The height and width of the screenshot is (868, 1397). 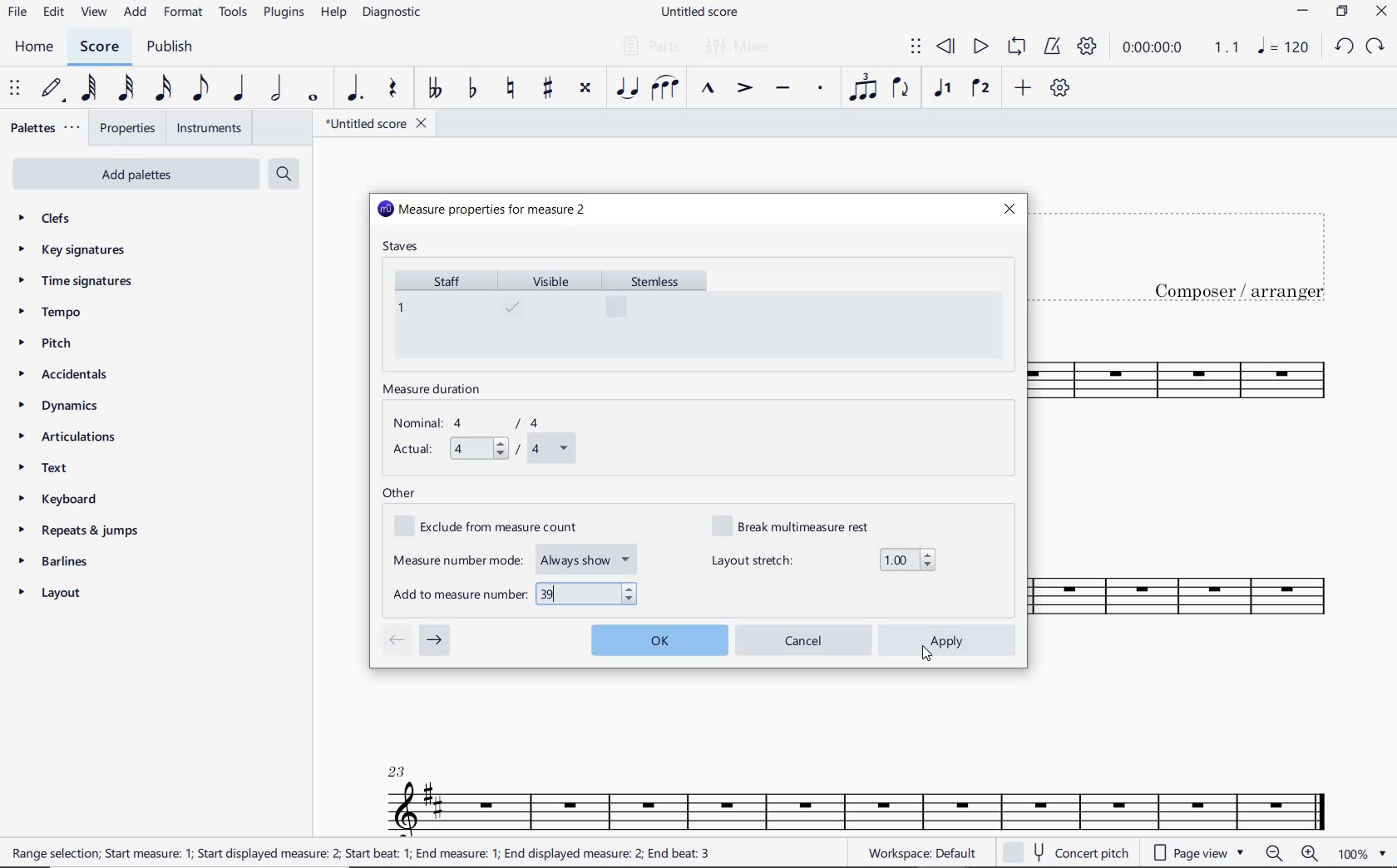 I want to click on ADD PALETTES, so click(x=134, y=173).